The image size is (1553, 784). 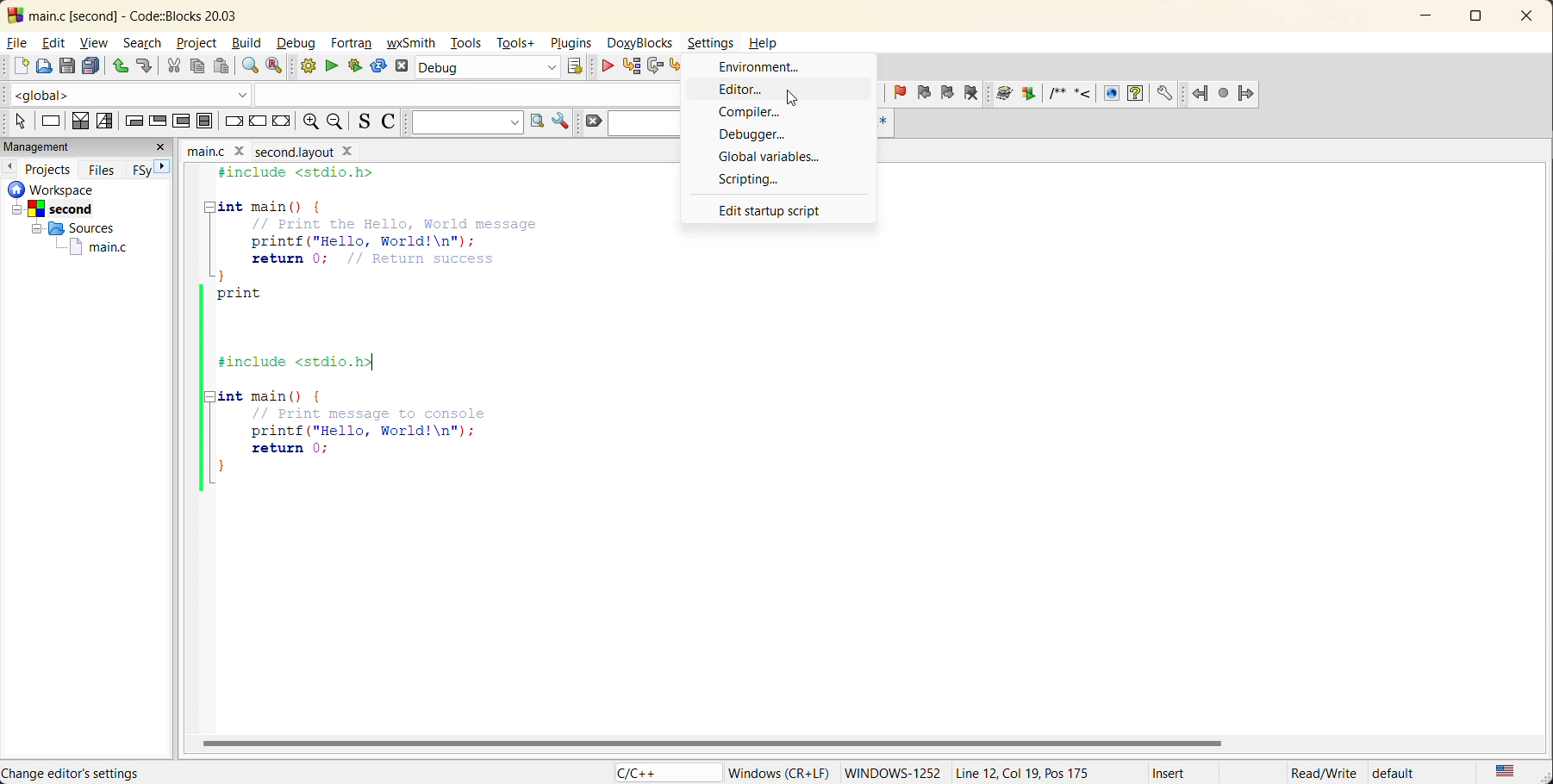 I want to click on close, so click(x=164, y=148).